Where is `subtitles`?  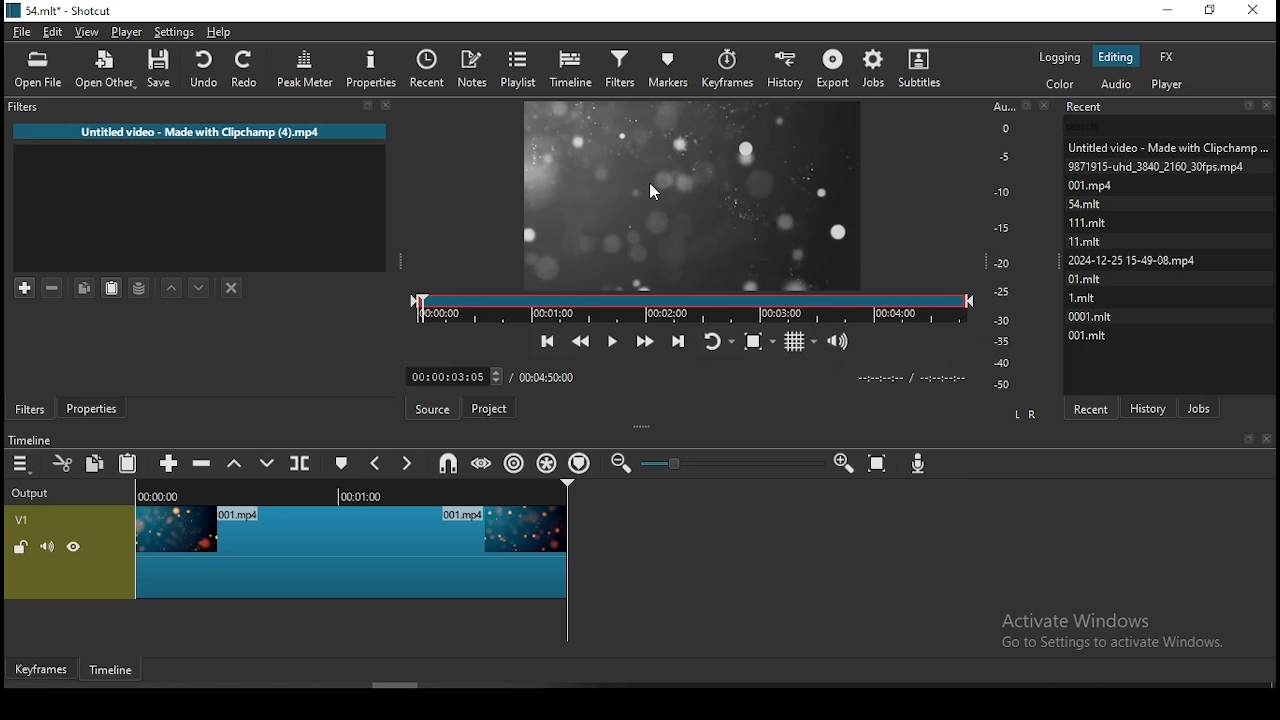 subtitles is located at coordinates (922, 66).